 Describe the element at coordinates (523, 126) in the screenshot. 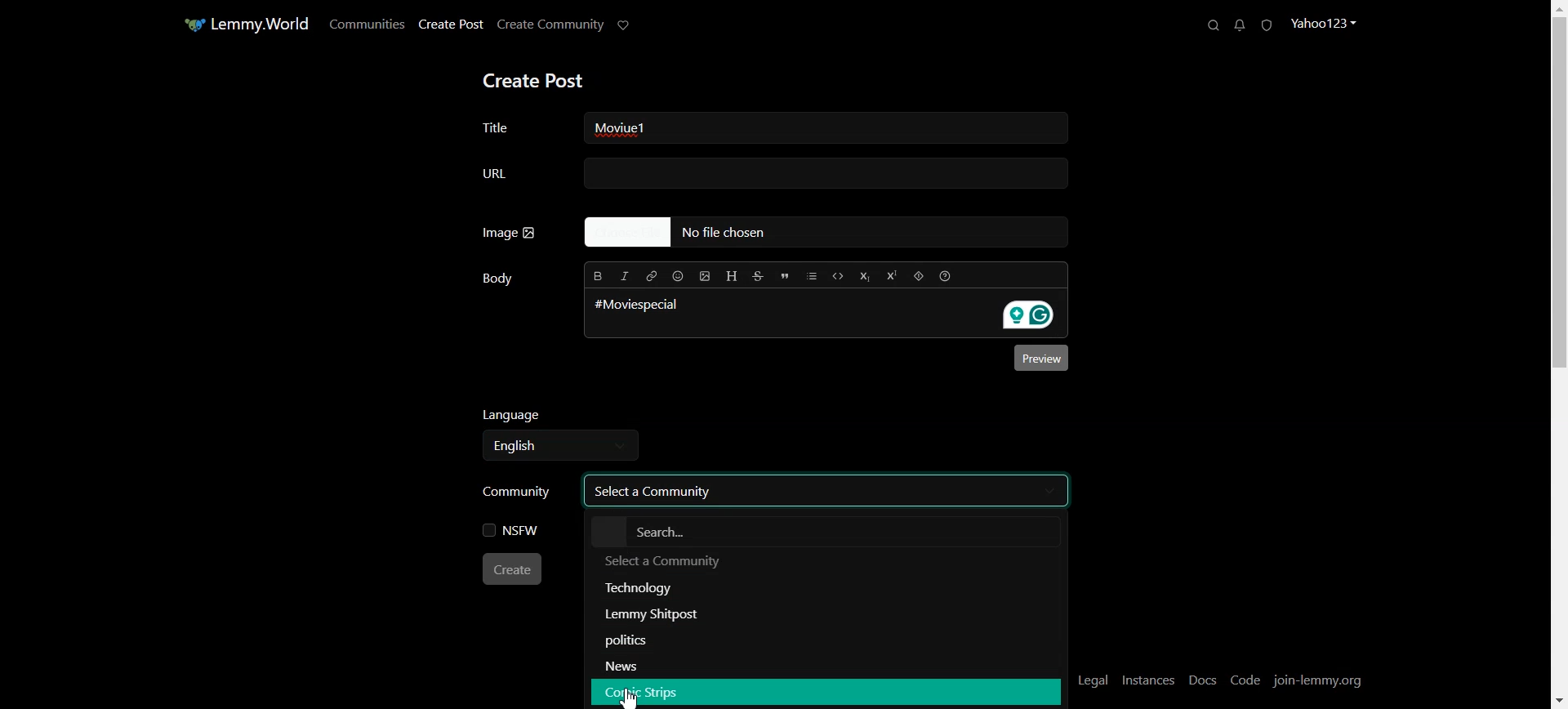

I see `Title` at that location.